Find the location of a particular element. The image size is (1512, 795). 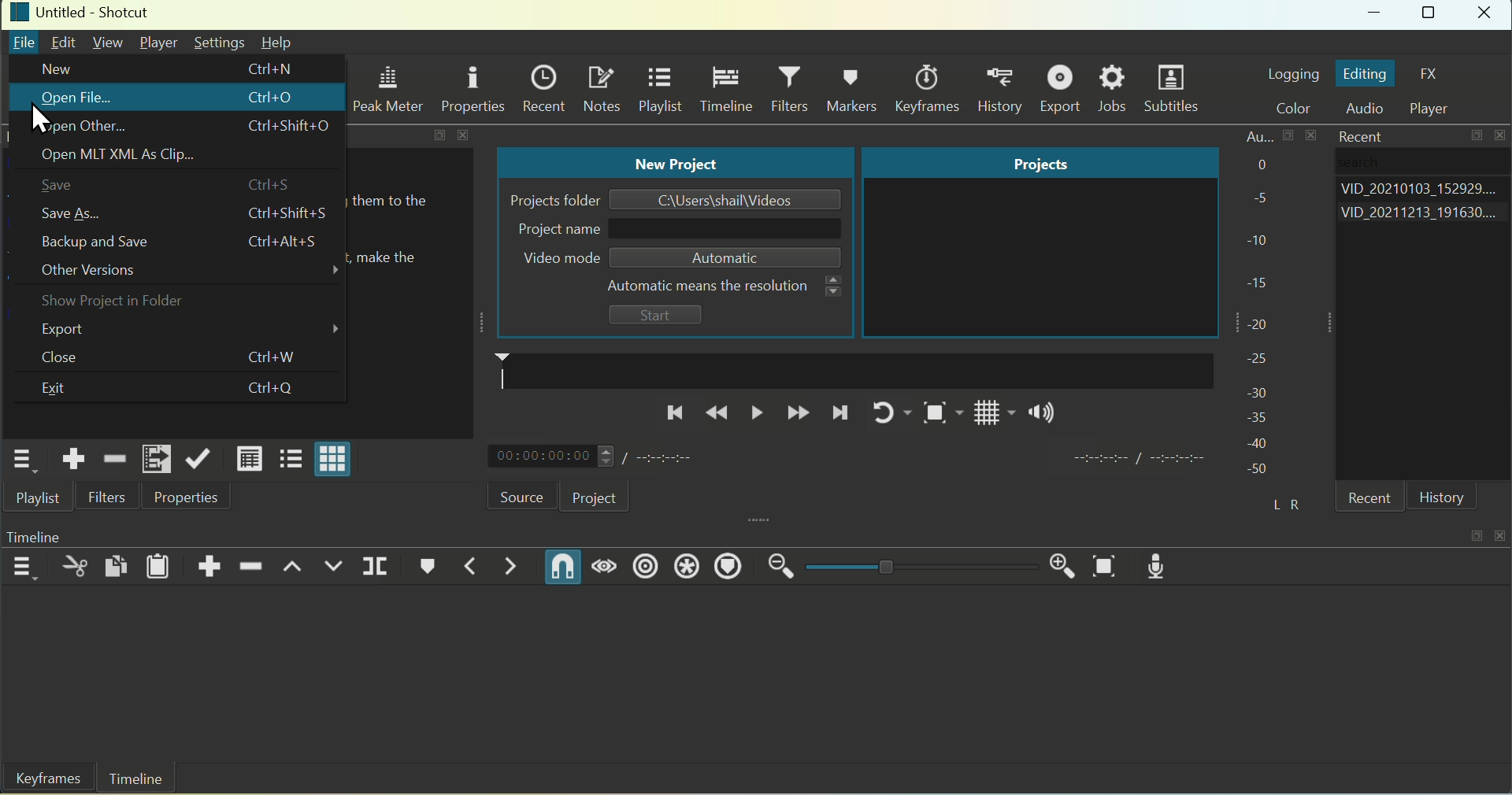

zoom slider is located at coordinates (918, 568).